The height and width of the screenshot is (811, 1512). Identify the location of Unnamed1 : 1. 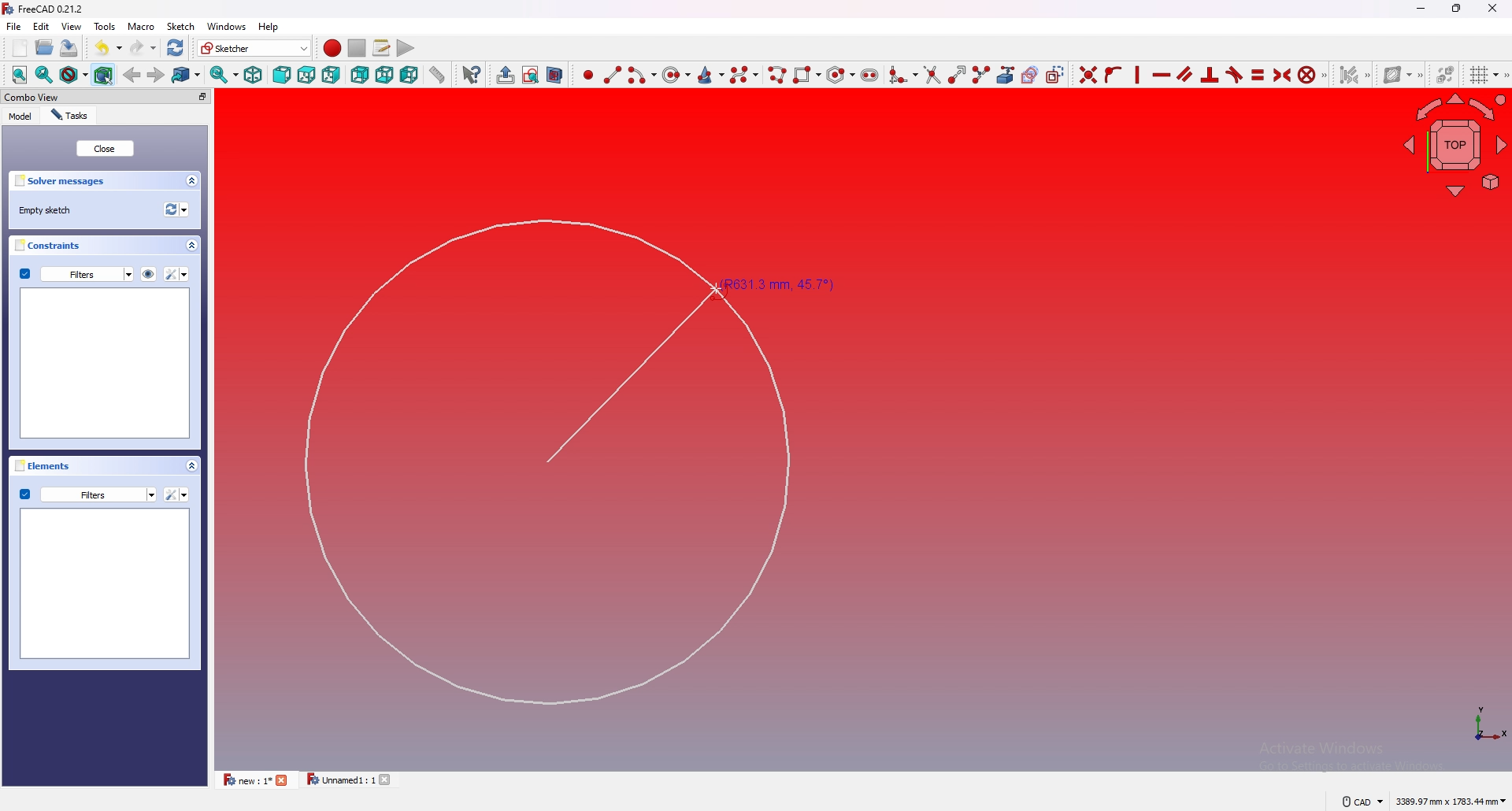
(339, 780).